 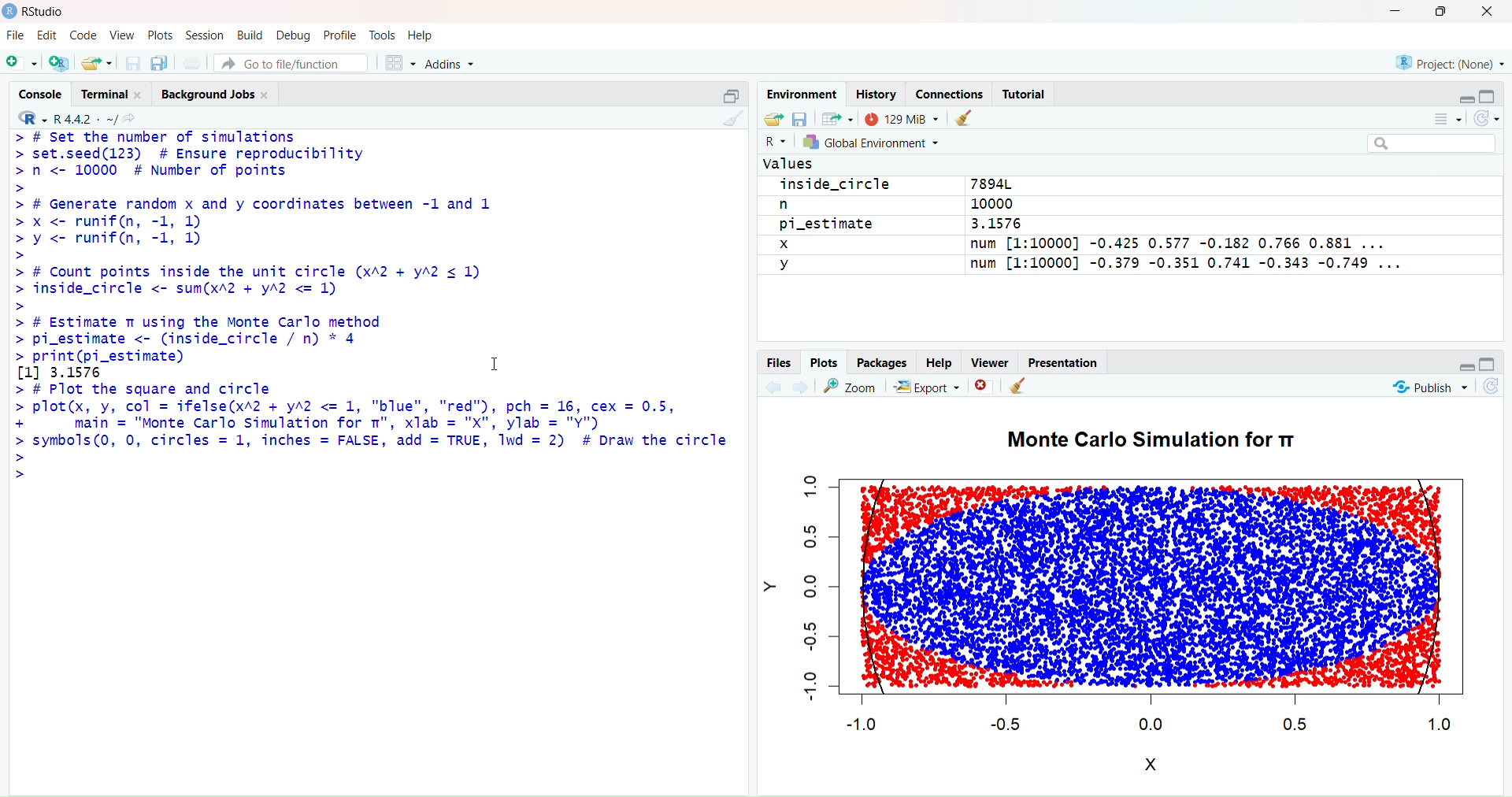 What do you see at coordinates (882, 361) in the screenshot?
I see `Packages` at bounding box center [882, 361].